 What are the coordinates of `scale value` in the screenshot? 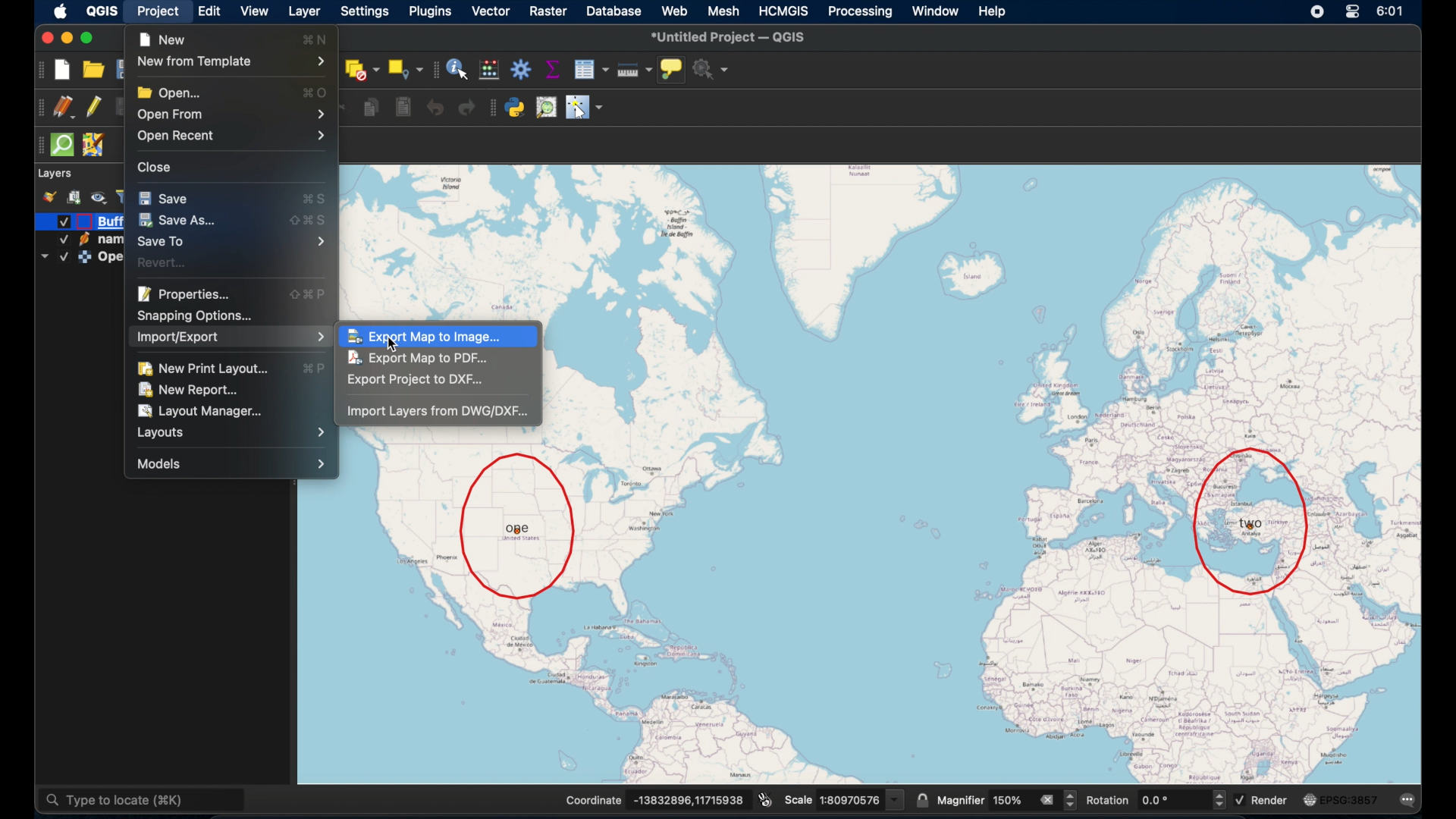 It's located at (861, 798).